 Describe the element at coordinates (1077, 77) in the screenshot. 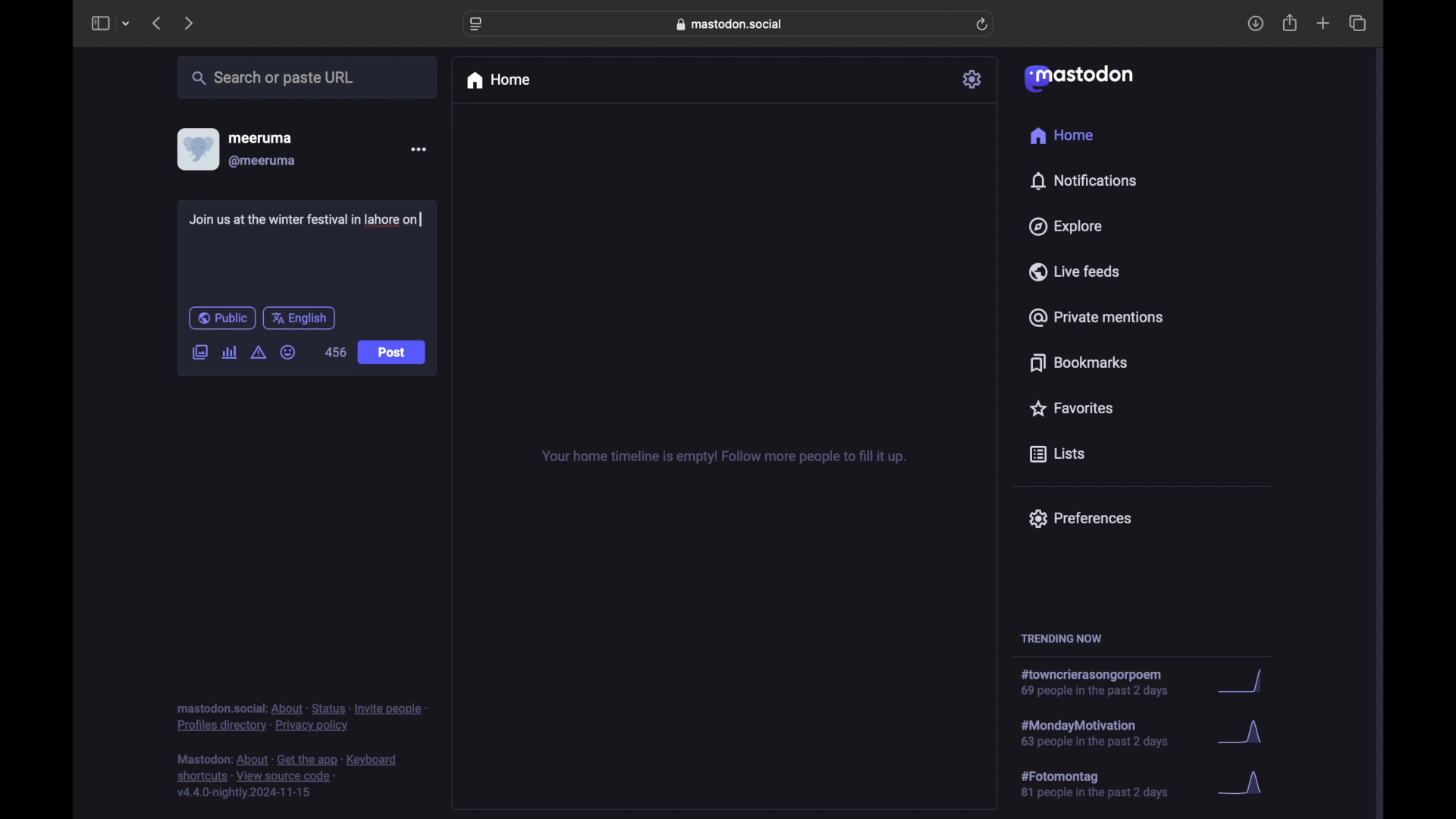

I see `mastodon` at that location.